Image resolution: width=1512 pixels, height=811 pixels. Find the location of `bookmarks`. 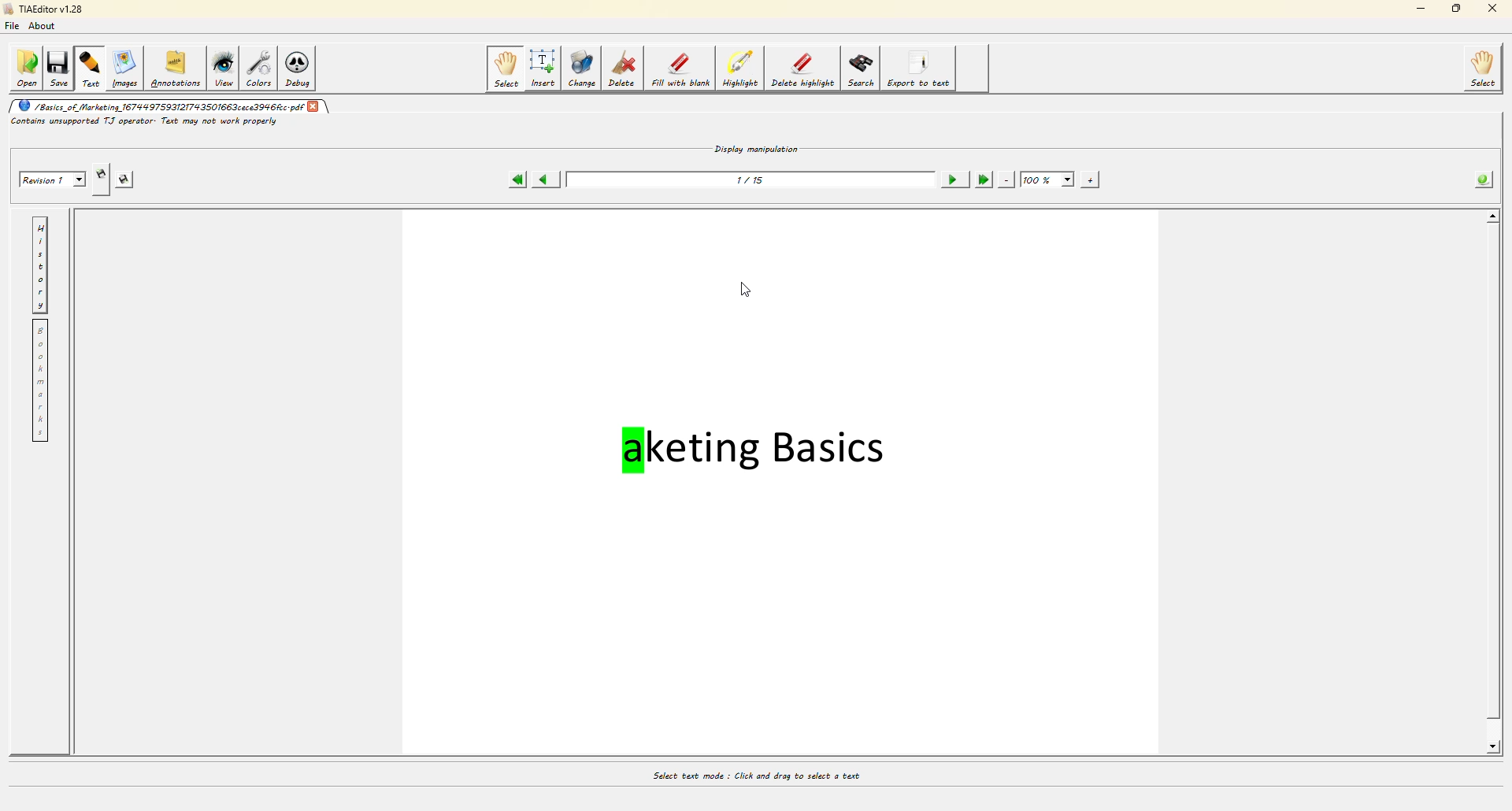

bookmarks is located at coordinates (39, 381).